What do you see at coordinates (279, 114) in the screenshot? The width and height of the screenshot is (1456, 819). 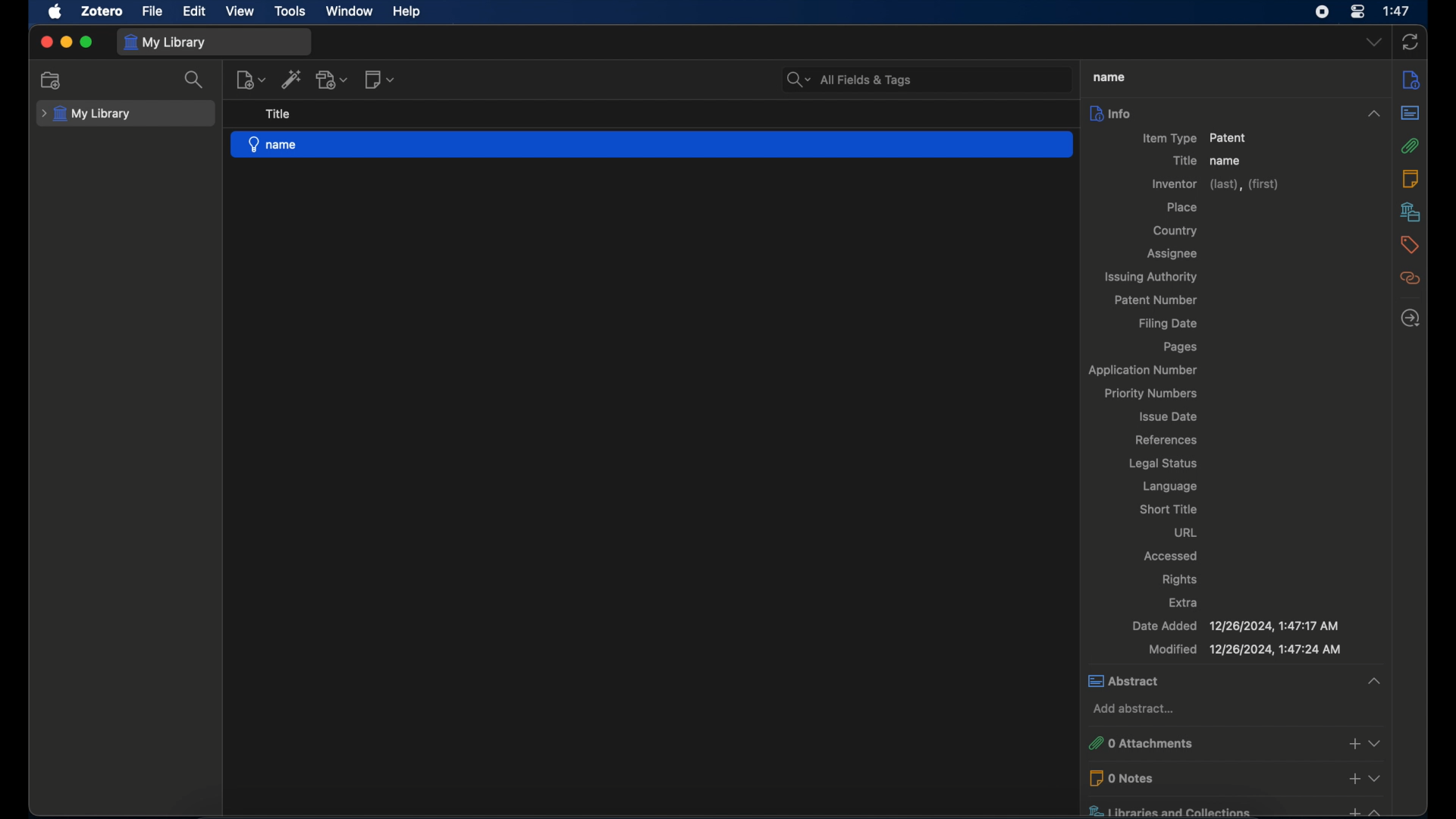 I see `title` at bounding box center [279, 114].